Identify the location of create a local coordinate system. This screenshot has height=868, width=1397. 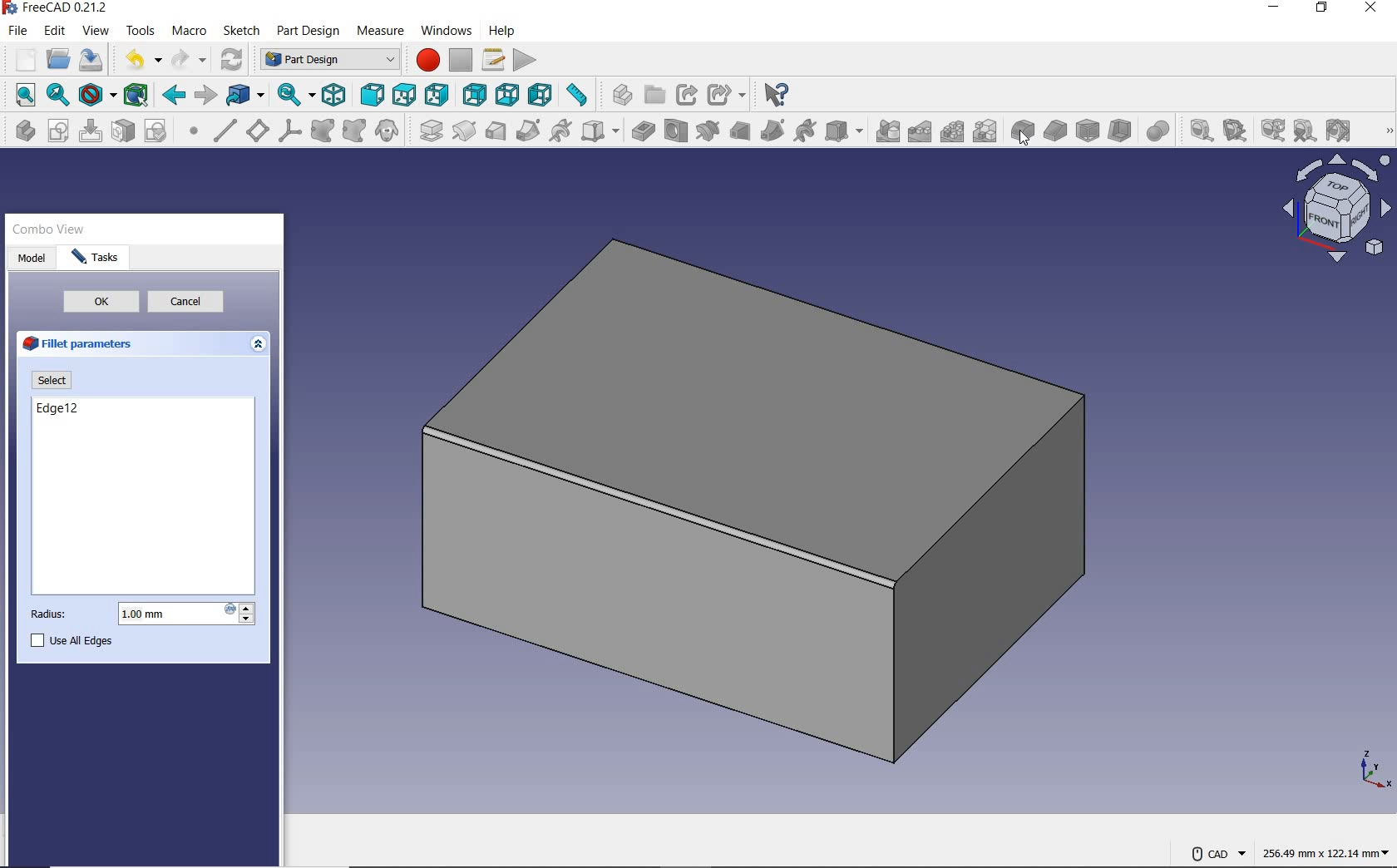
(287, 131).